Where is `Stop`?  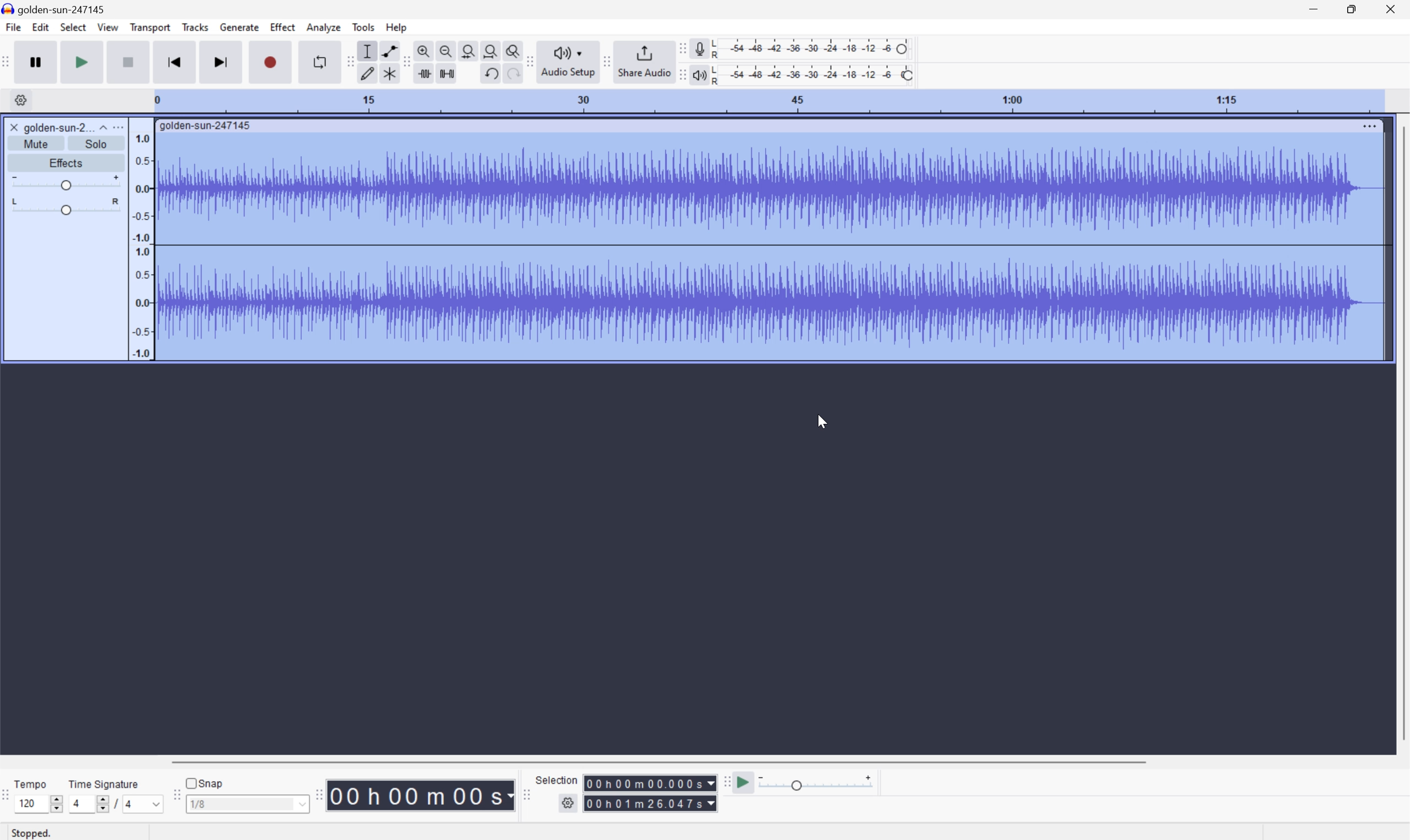 Stop is located at coordinates (127, 62).